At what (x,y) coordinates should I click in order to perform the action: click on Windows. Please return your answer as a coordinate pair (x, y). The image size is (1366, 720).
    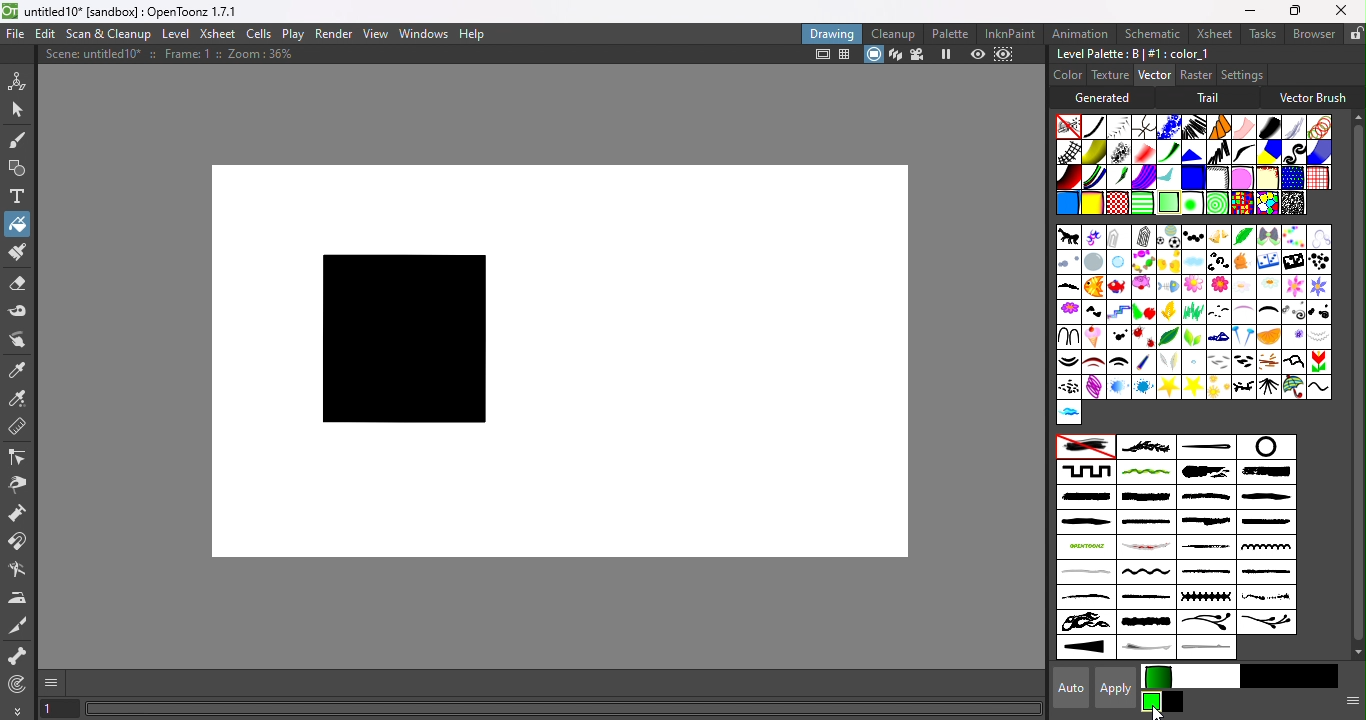
    Looking at the image, I should click on (424, 32).